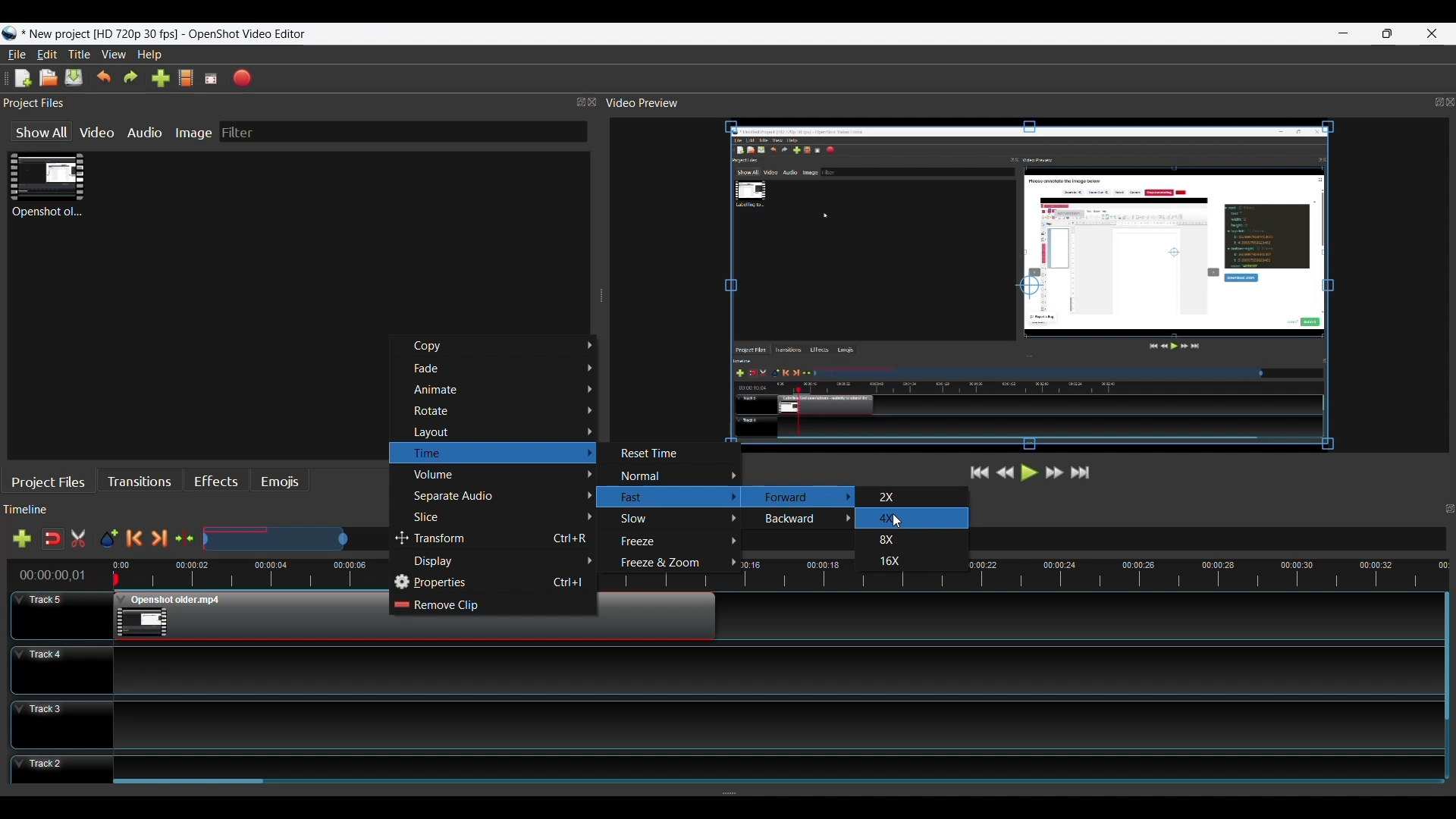 This screenshot has width=1456, height=819. What do you see at coordinates (1030, 472) in the screenshot?
I see `Play` at bounding box center [1030, 472].